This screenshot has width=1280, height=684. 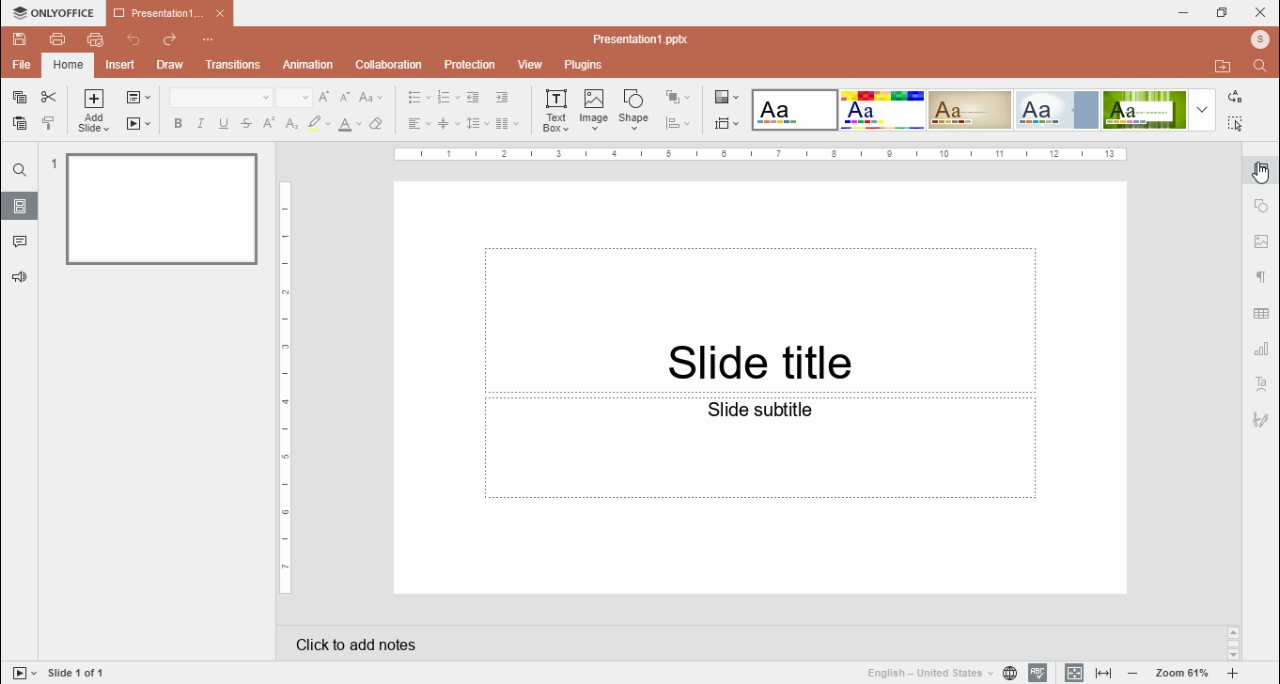 What do you see at coordinates (169, 40) in the screenshot?
I see `redo` at bounding box center [169, 40].